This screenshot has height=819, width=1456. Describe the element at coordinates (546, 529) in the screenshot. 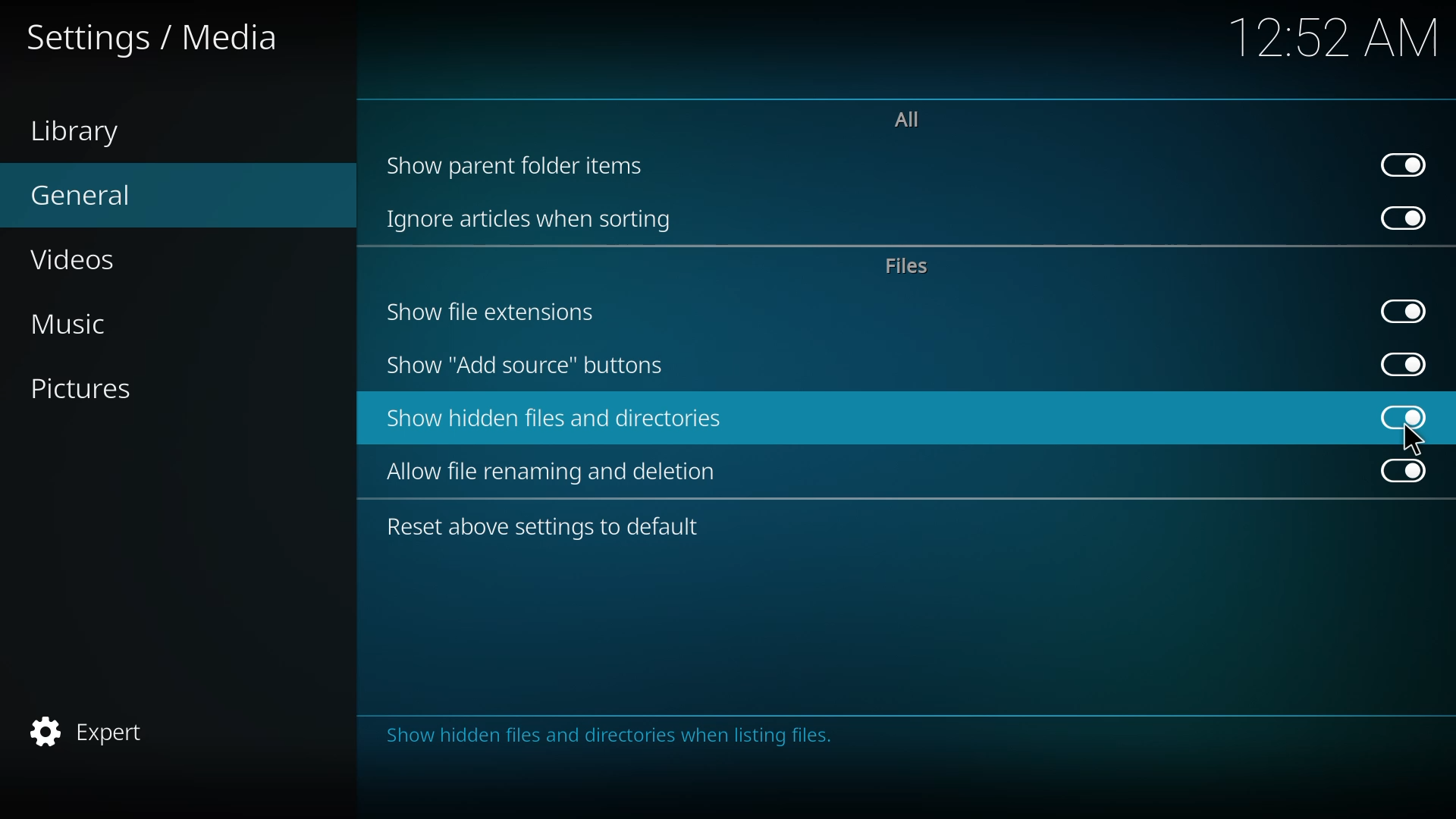

I see `reset above settings to default` at that location.